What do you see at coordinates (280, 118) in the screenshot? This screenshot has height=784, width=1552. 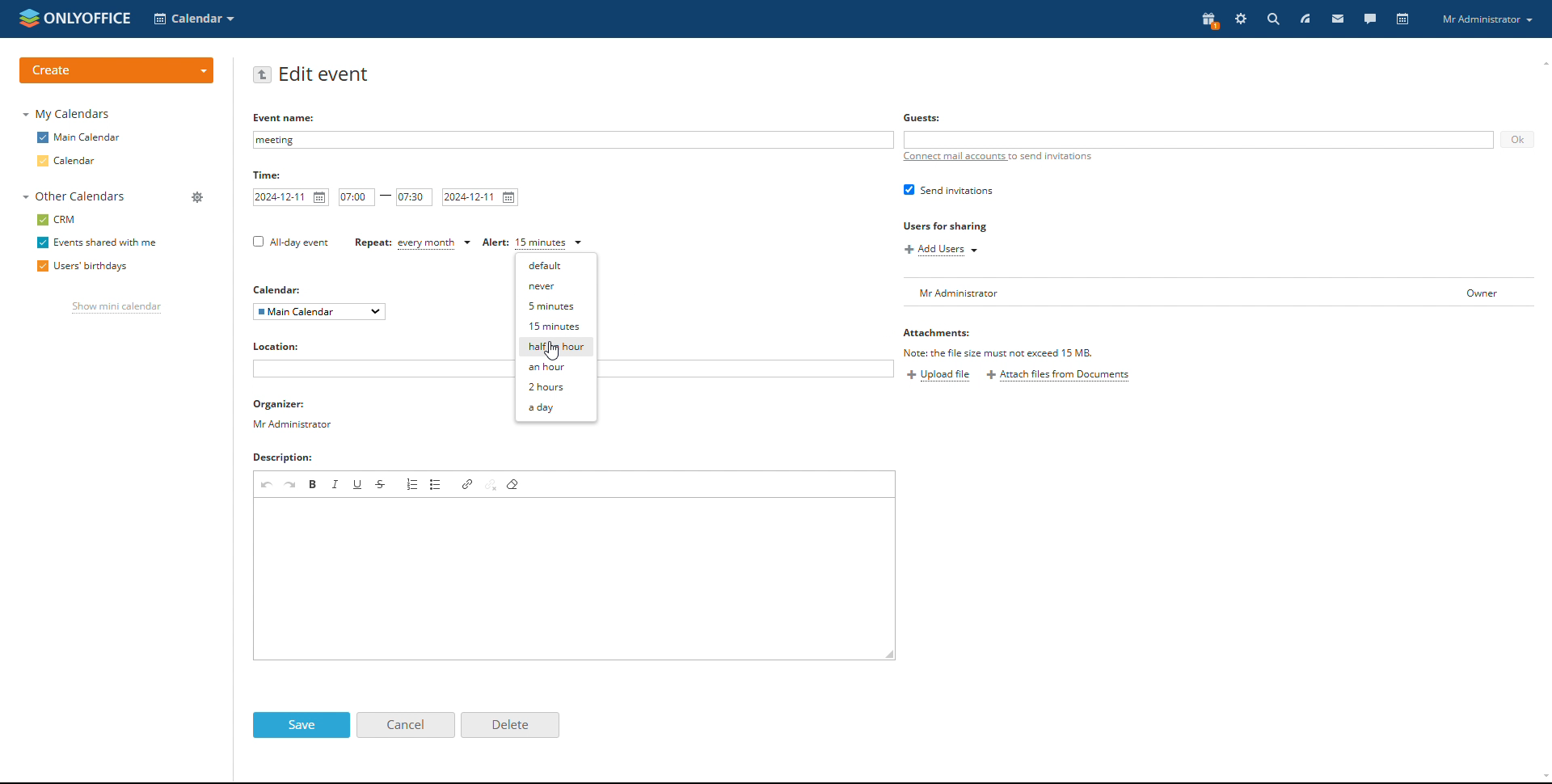 I see `Event name:` at bounding box center [280, 118].